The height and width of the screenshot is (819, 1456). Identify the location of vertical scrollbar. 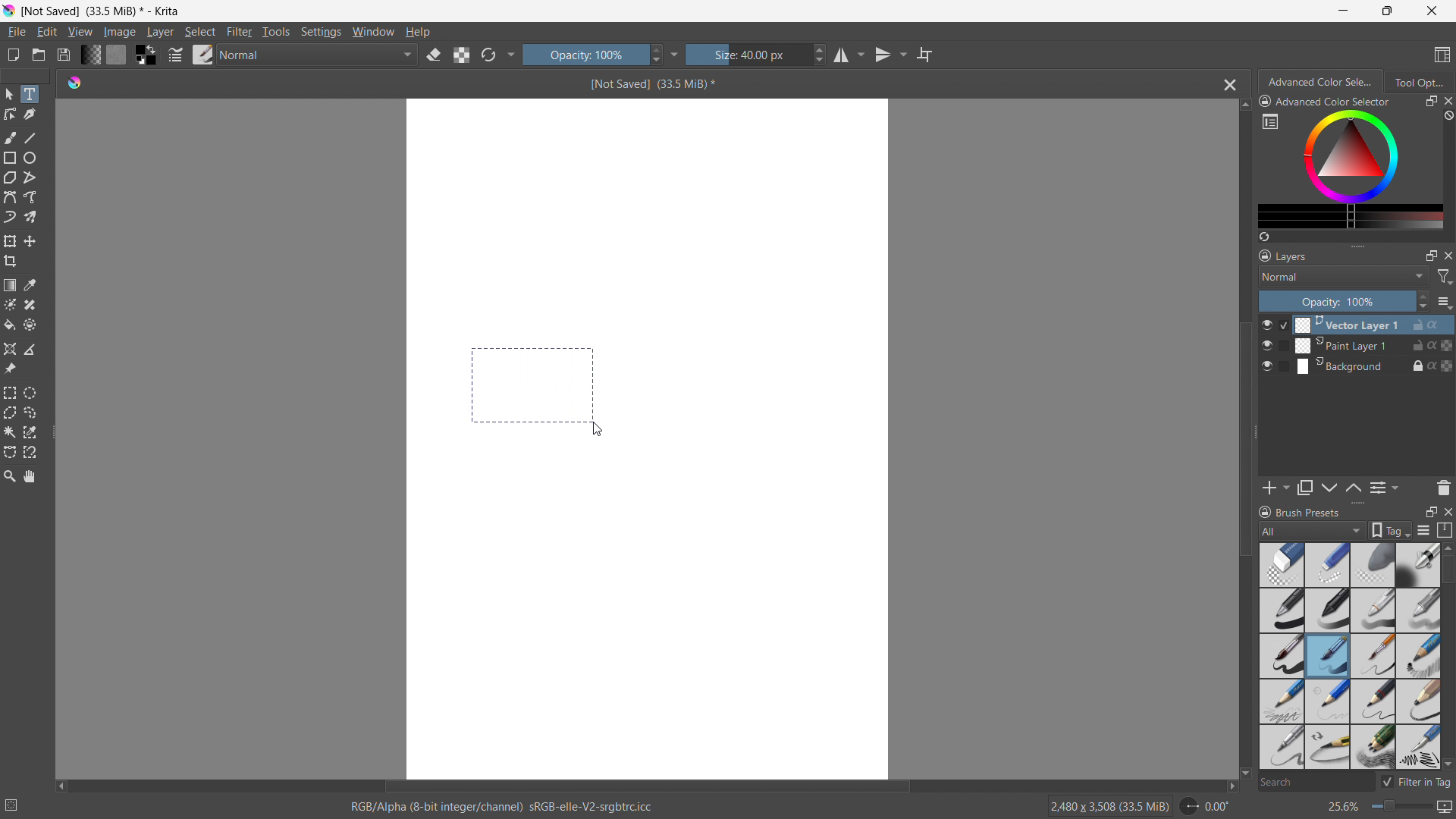
(1241, 439).